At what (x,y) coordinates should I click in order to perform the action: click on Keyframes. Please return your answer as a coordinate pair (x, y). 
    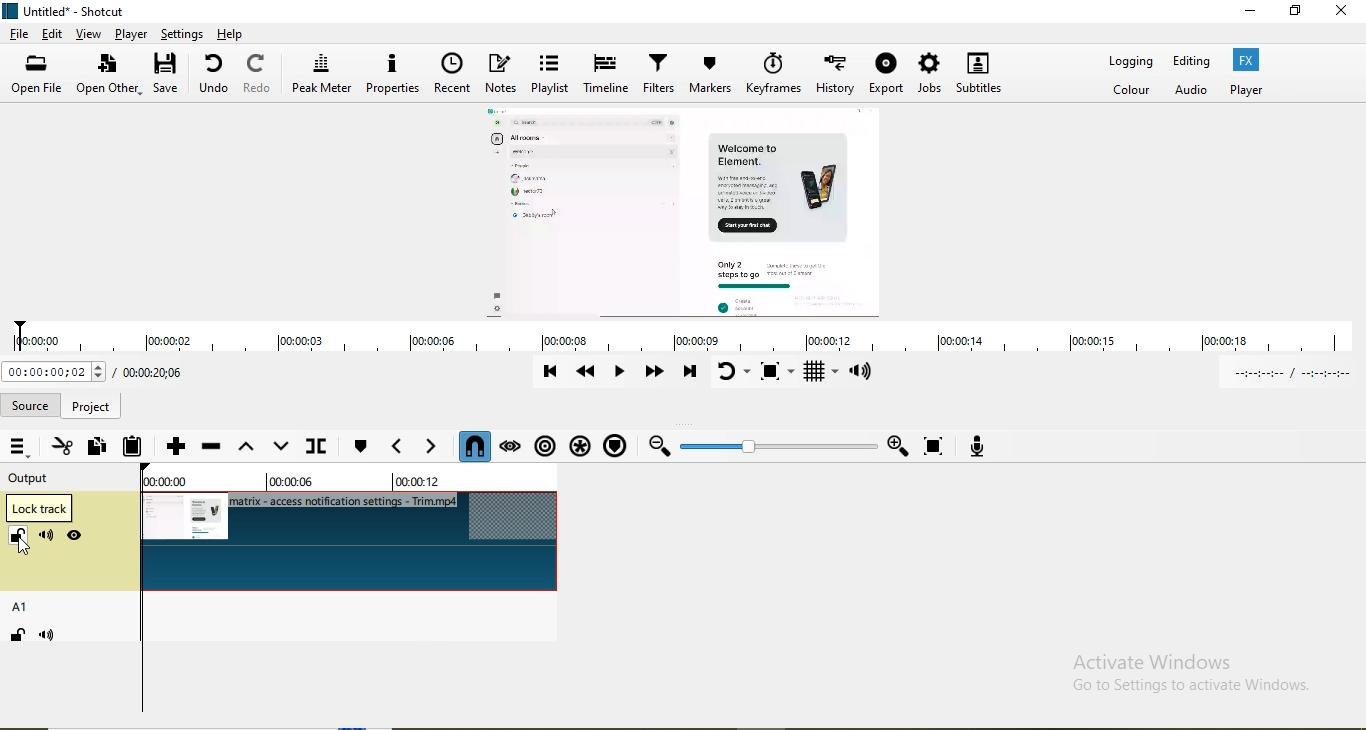
    Looking at the image, I should click on (776, 74).